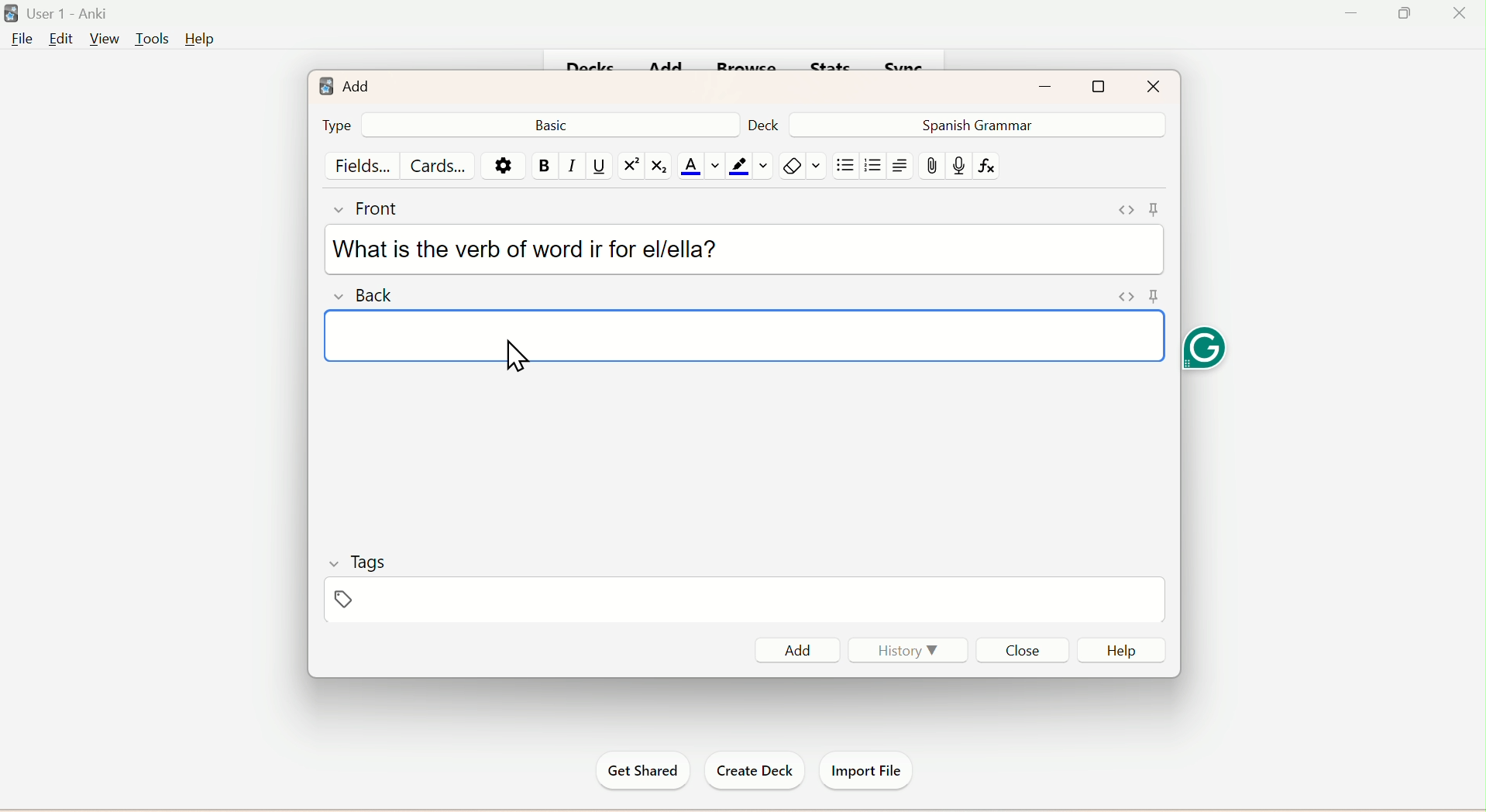 The height and width of the screenshot is (812, 1486). Describe the element at coordinates (363, 562) in the screenshot. I see `Tags` at that location.